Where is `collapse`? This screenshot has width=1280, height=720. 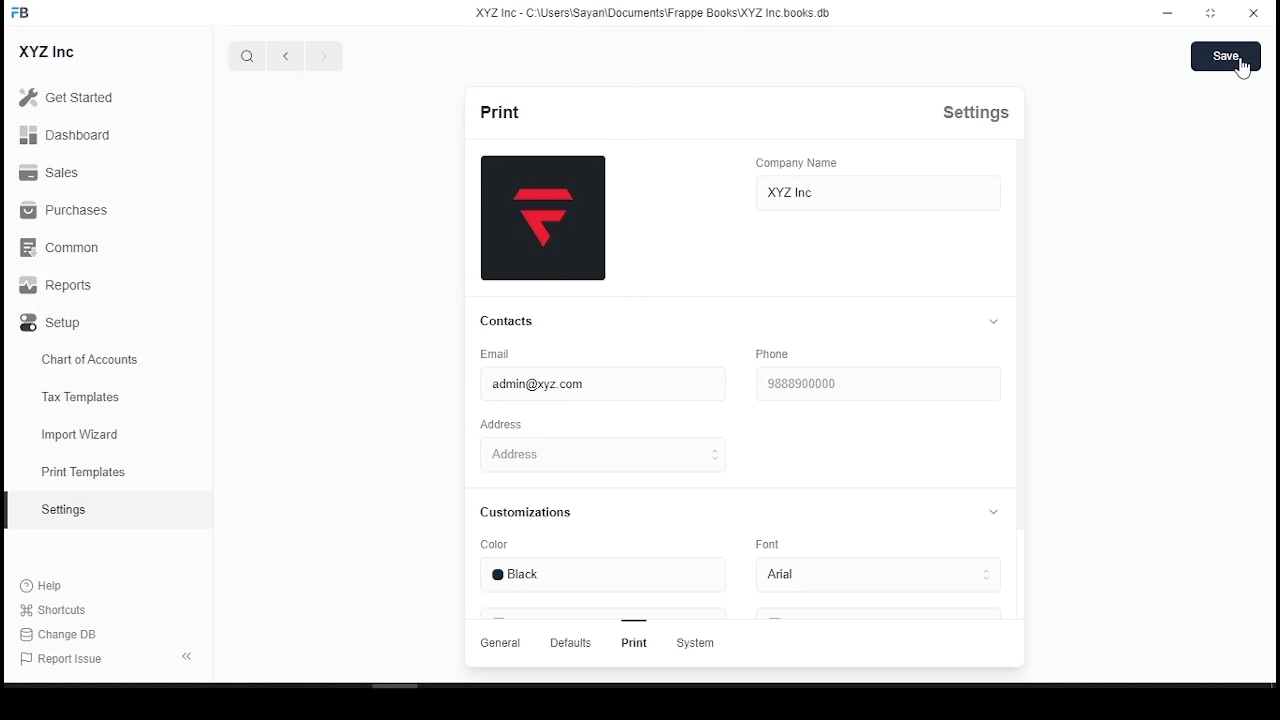
collapse is located at coordinates (993, 513).